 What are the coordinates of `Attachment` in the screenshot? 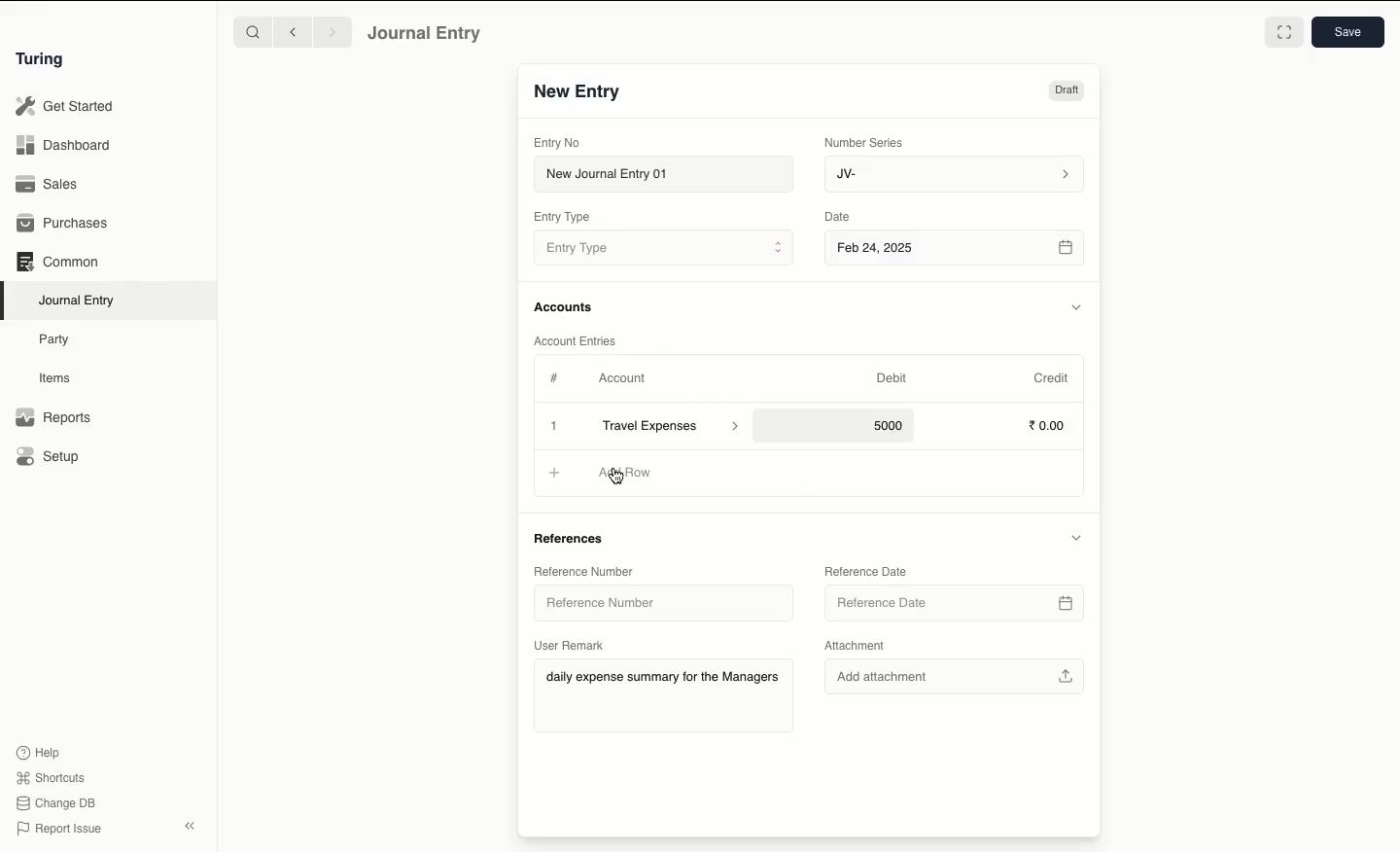 It's located at (858, 644).